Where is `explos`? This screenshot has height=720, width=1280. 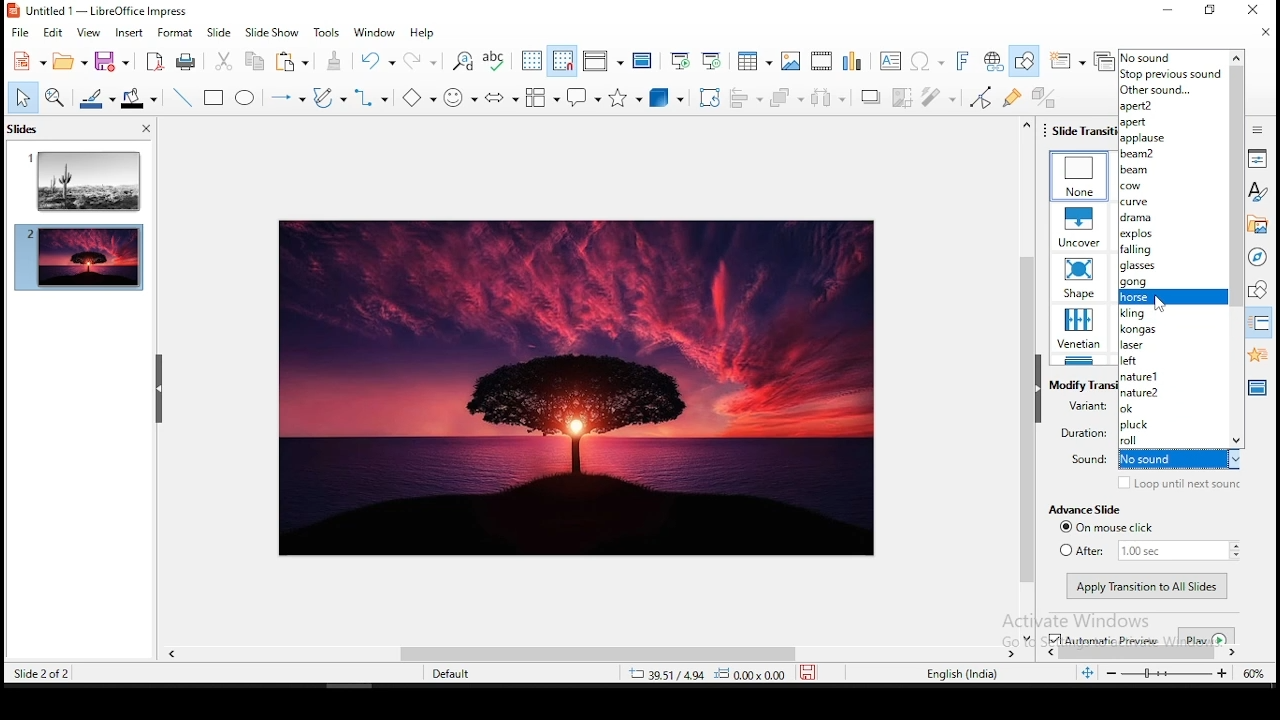 explos is located at coordinates (1173, 234).